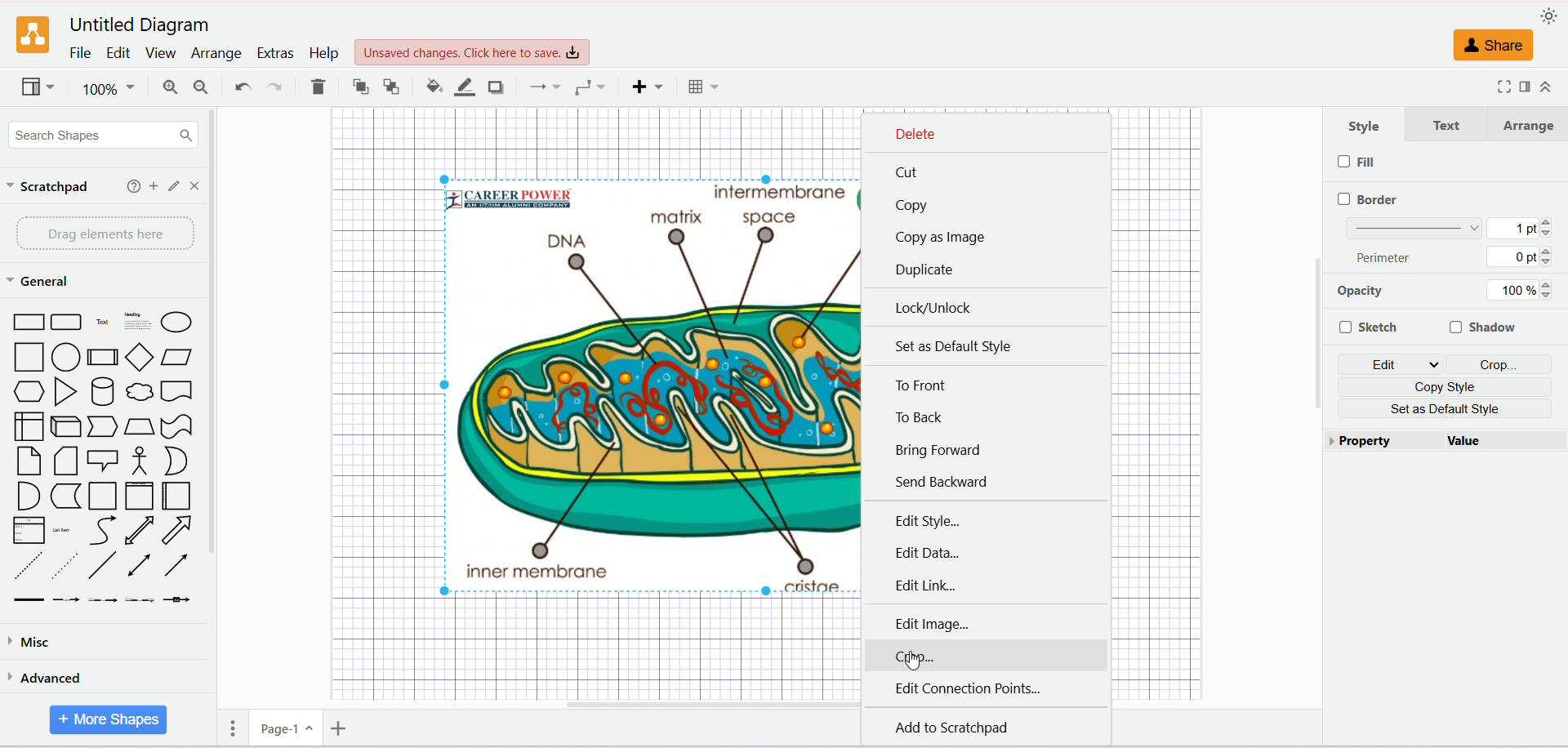  What do you see at coordinates (139, 323) in the screenshot?
I see `Heading with Text` at bounding box center [139, 323].